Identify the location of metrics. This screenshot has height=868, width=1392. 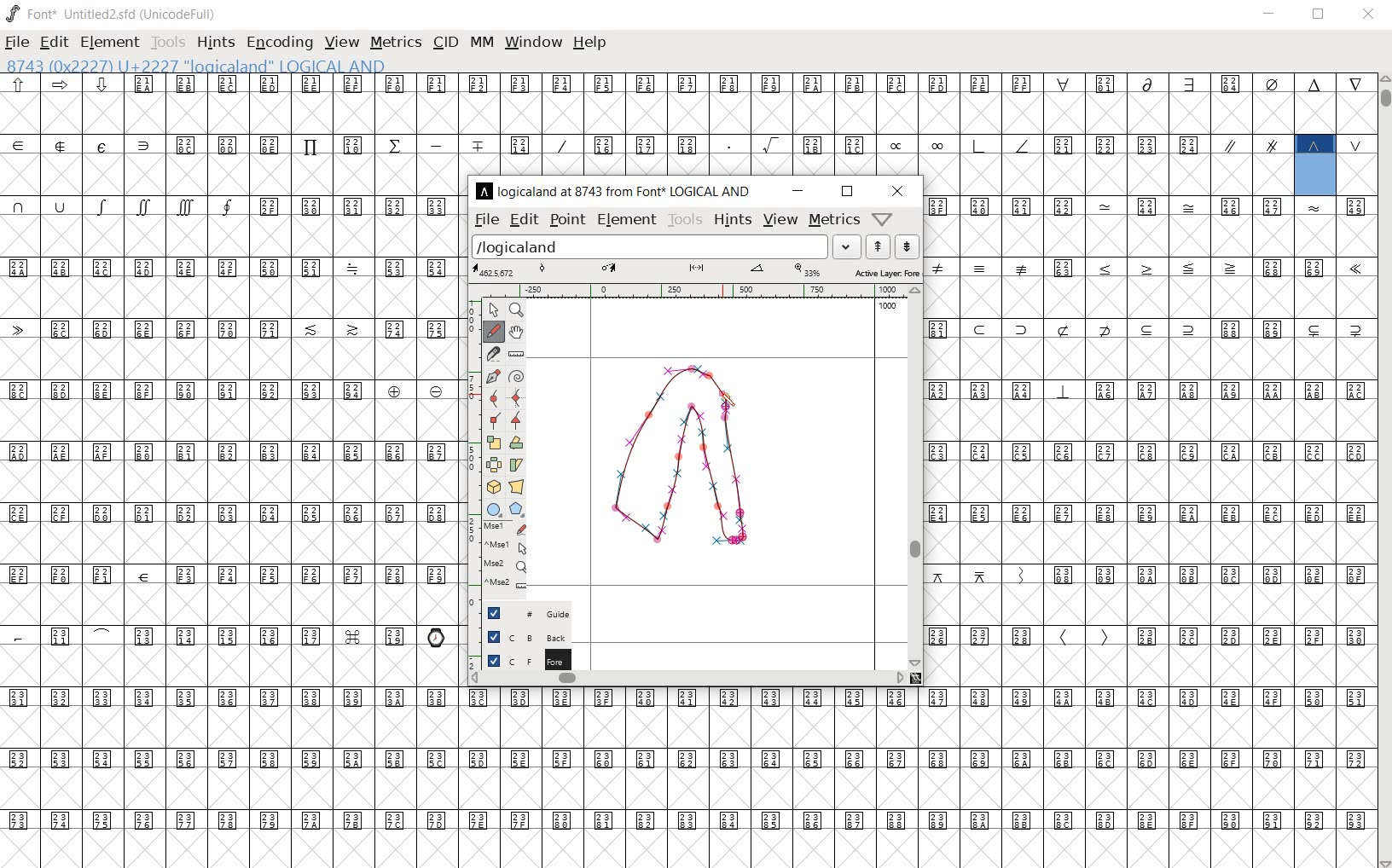
(834, 219).